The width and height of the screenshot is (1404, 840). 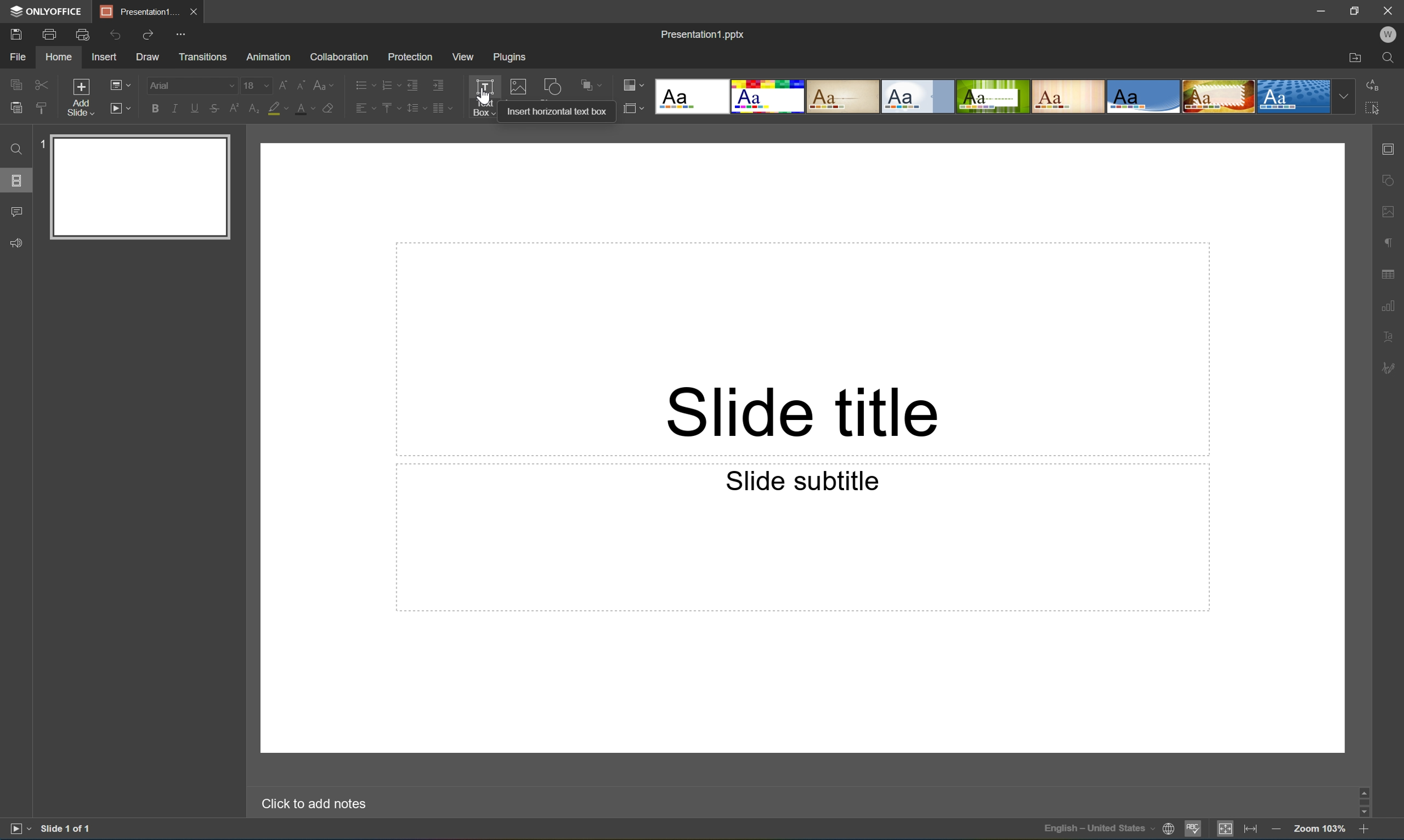 I want to click on Horizontal align, so click(x=365, y=109).